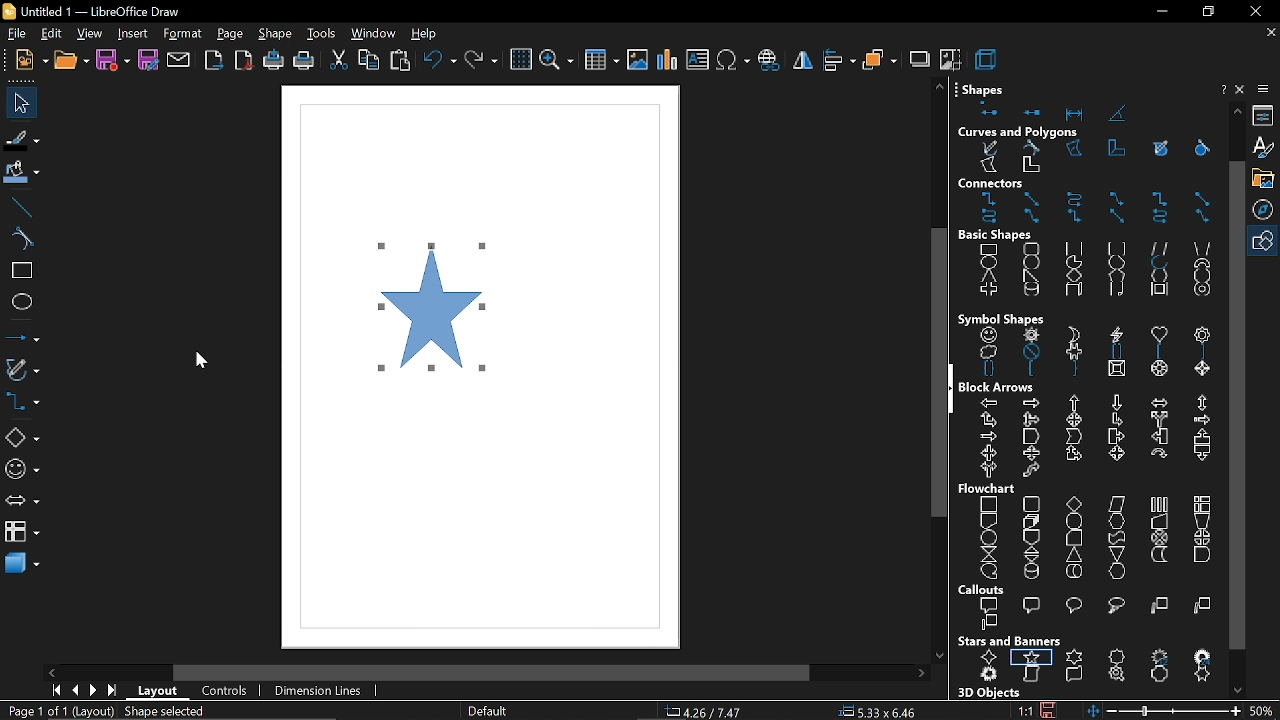 The image size is (1280, 720). What do you see at coordinates (1025, 710) in the screenshot?
I see `scaling factor` at bounding box center [1025, 710].